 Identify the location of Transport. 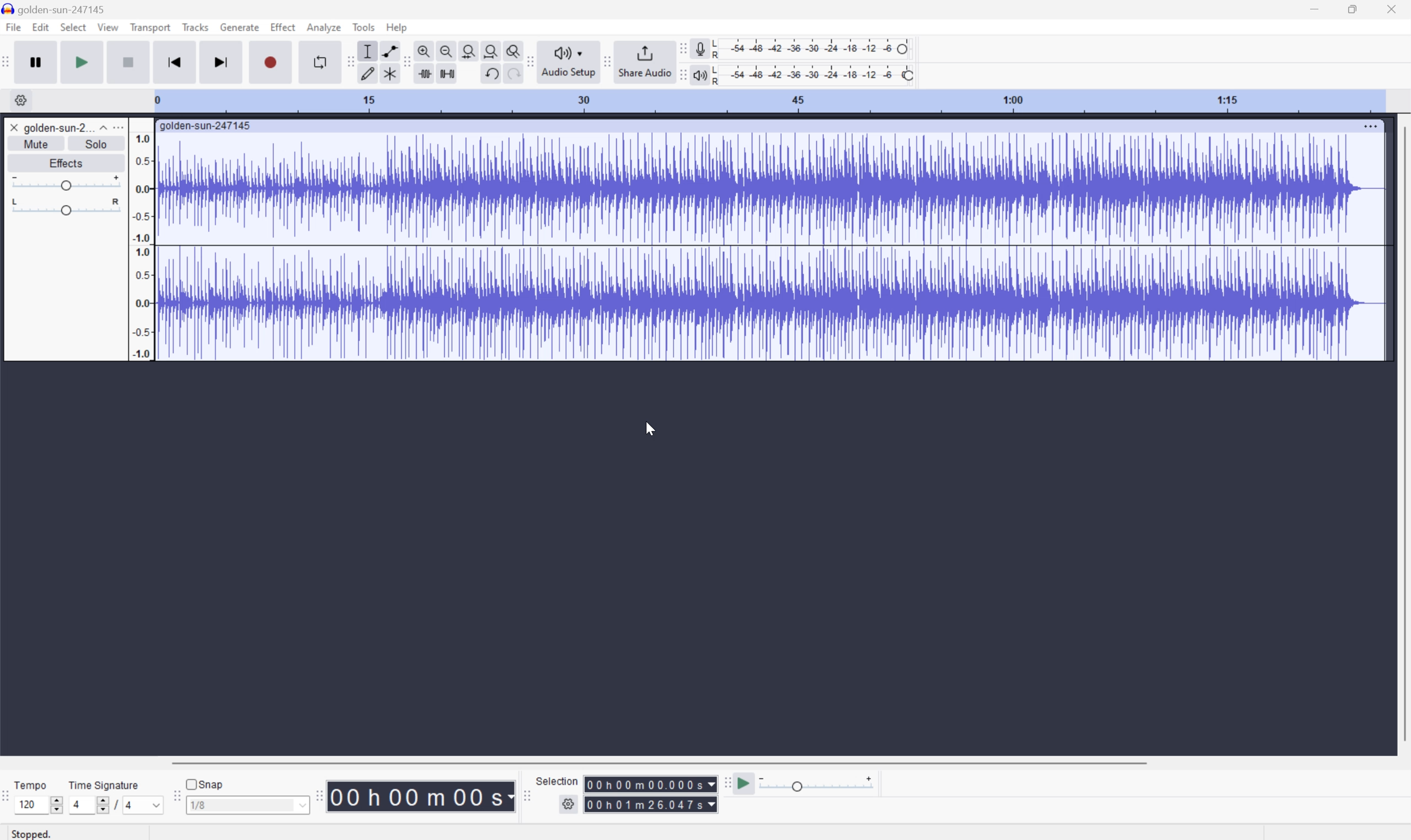
(151, 28).